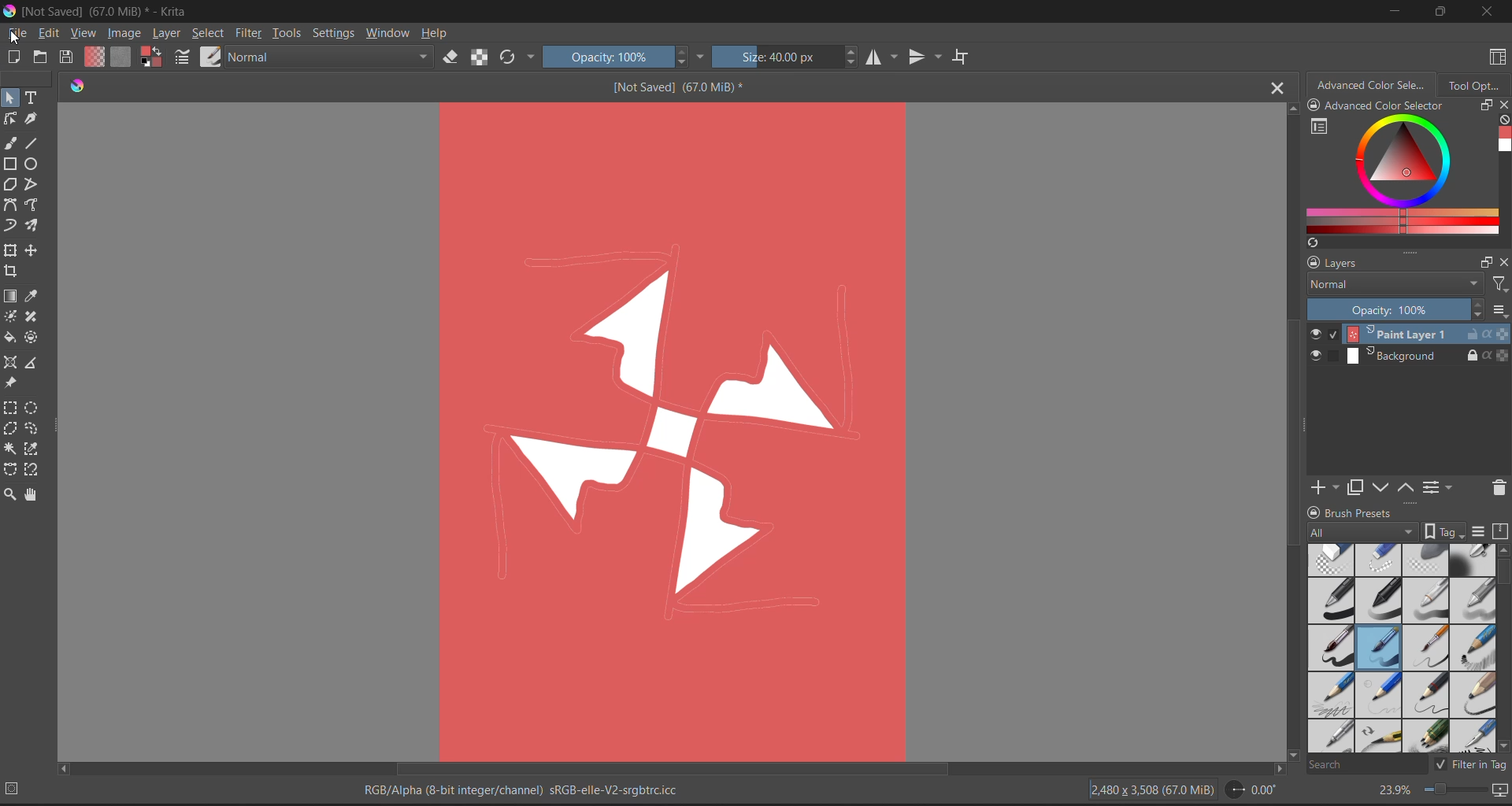  What do you see at coordinates (109, 10) in the screenshot?
I see `app name and file name` at bounding box center [109, 10].